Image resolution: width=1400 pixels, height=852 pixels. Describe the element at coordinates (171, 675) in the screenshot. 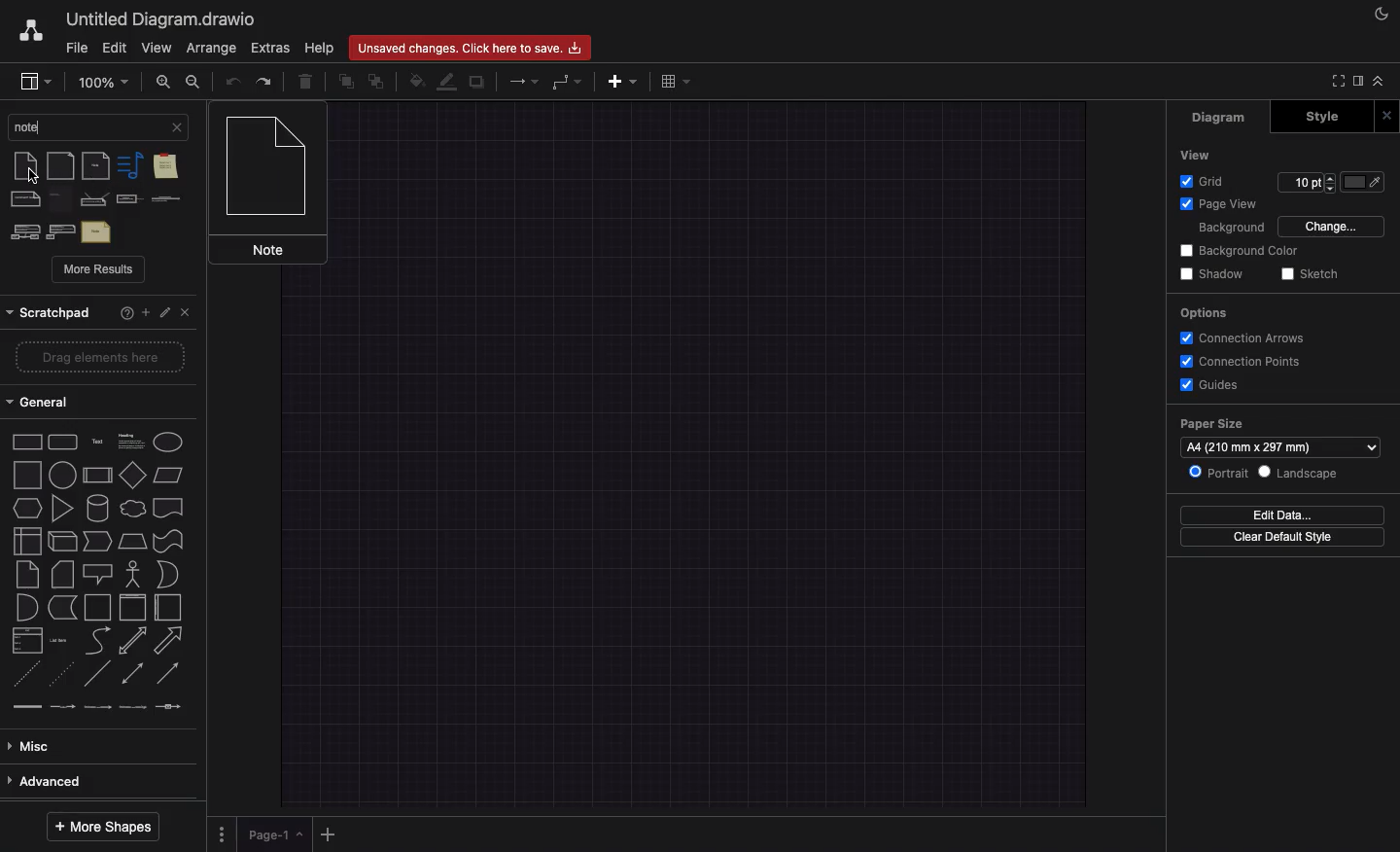

I see `directional connector` at that location.